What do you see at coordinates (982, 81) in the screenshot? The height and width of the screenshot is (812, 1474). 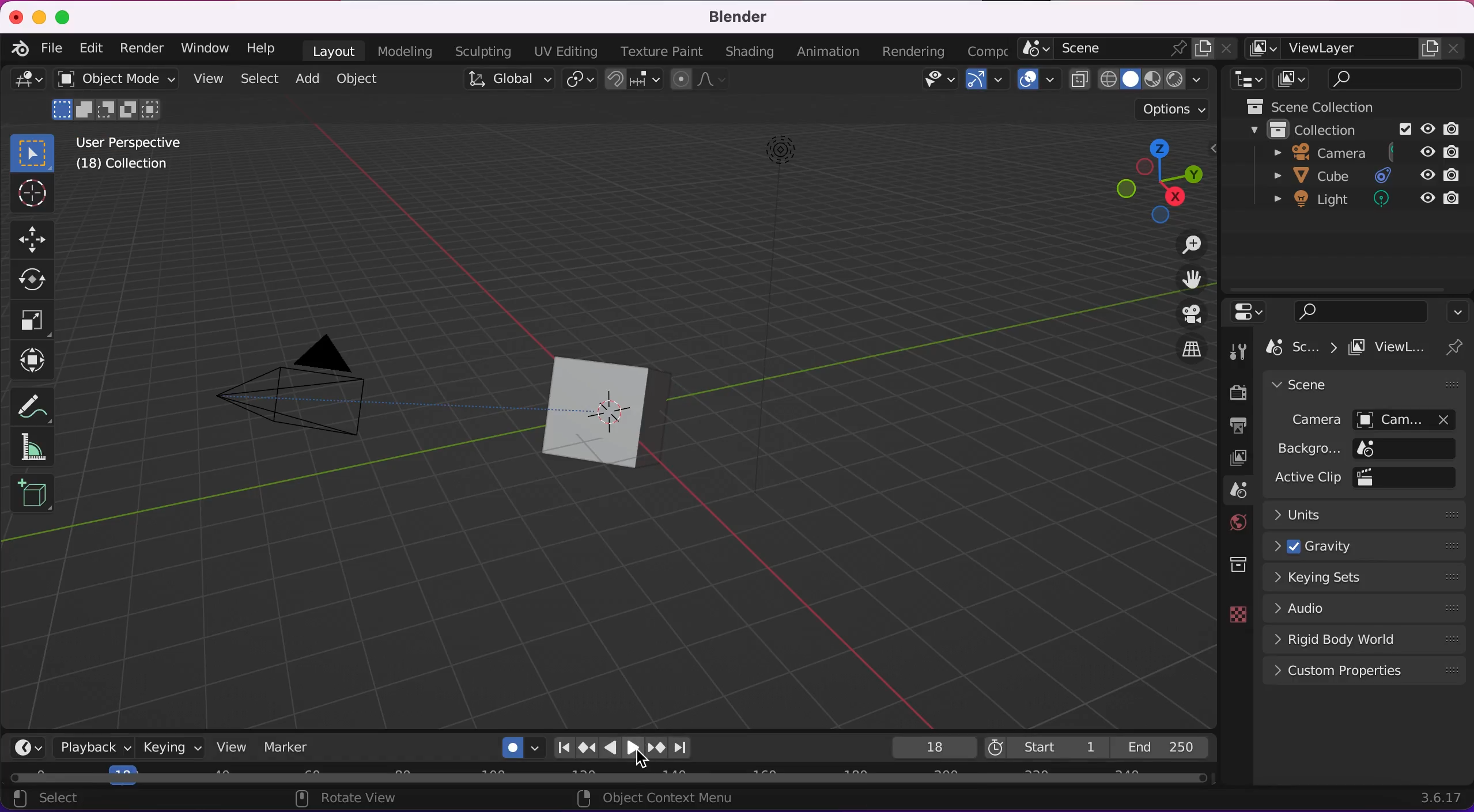 I see `gizmos` at bounding box center [982, 81].